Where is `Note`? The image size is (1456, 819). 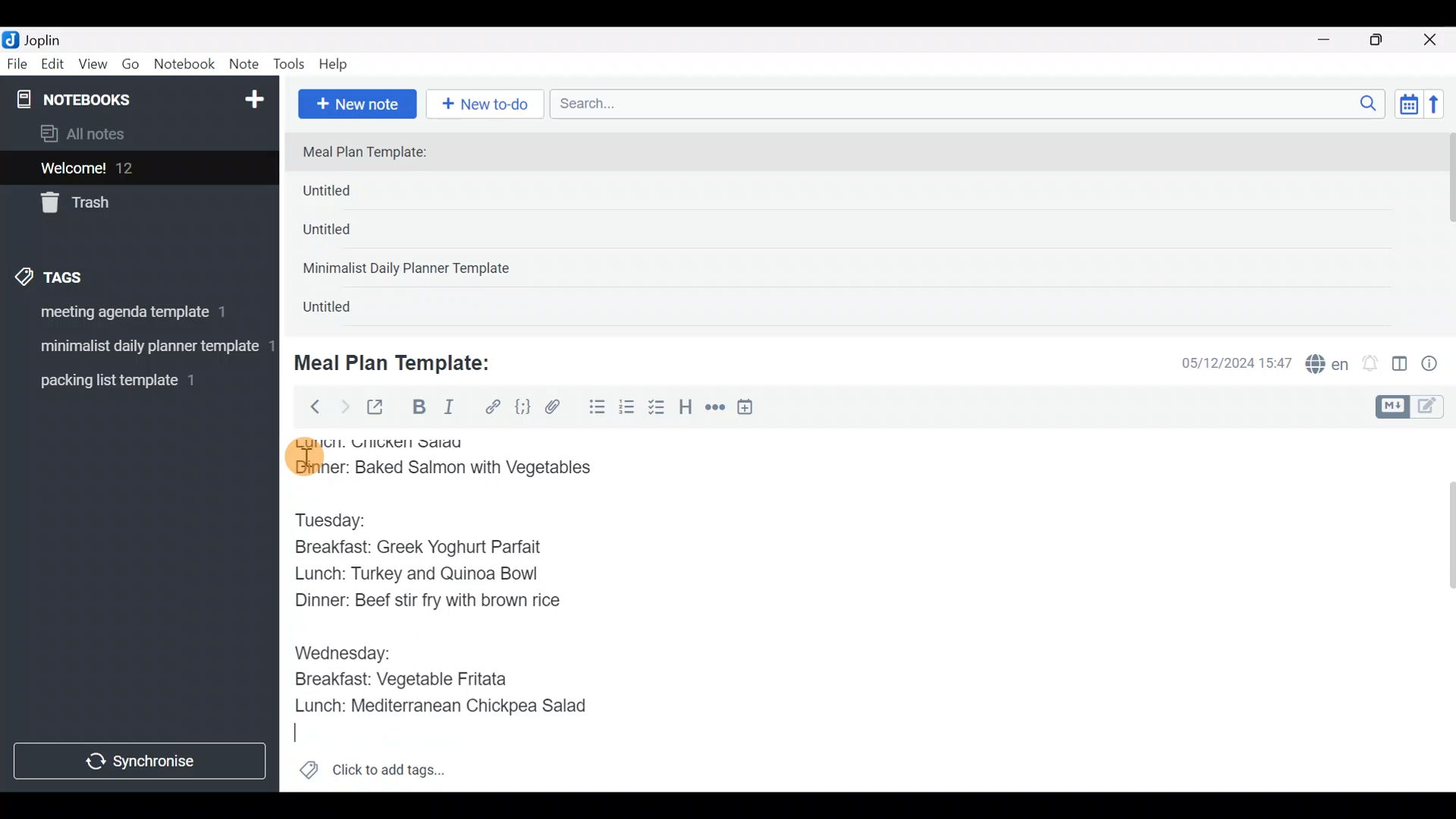 Note is located at coordinates (247, 65).